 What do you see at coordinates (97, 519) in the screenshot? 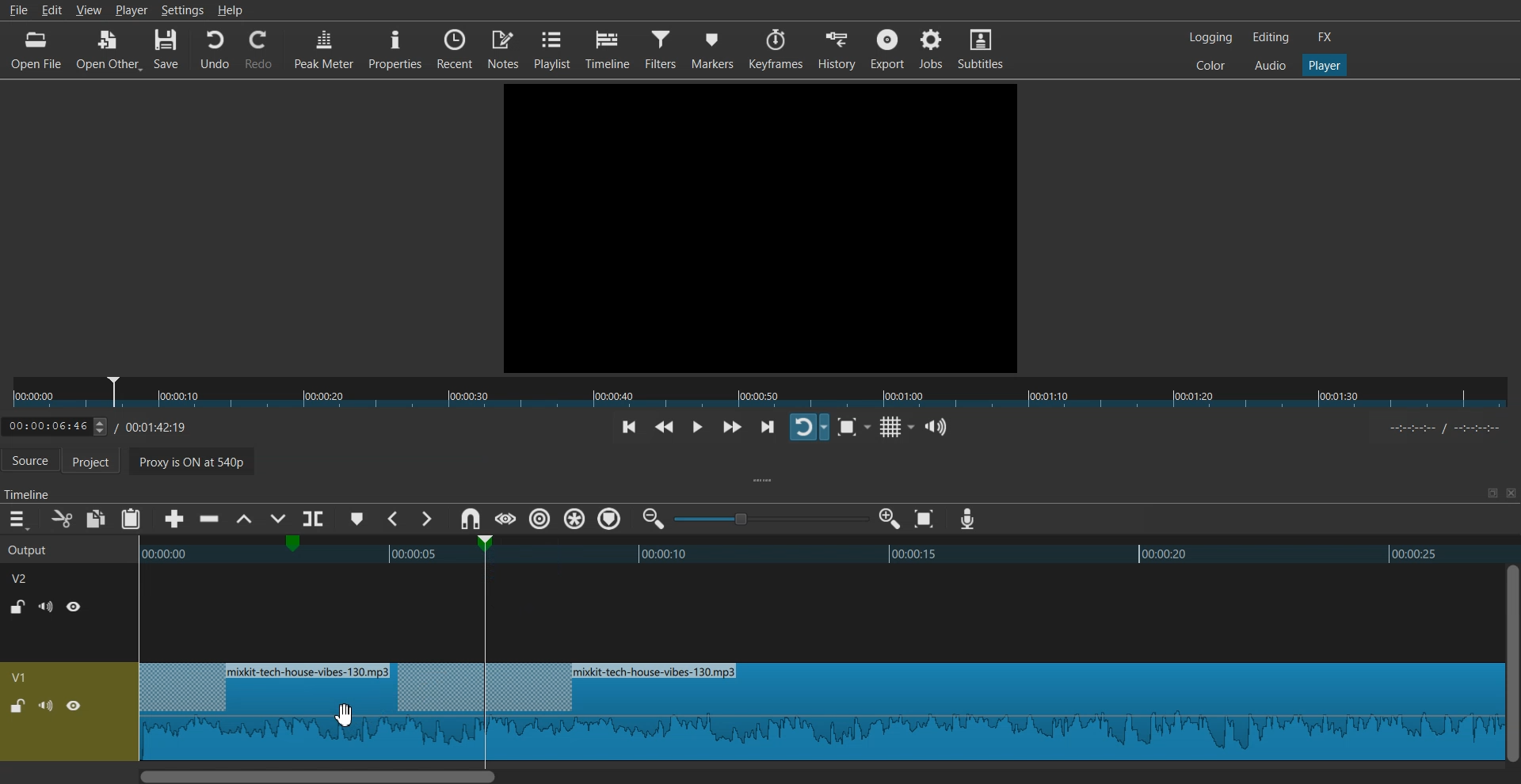
I see `Copy` at bounding box center [97, 519].